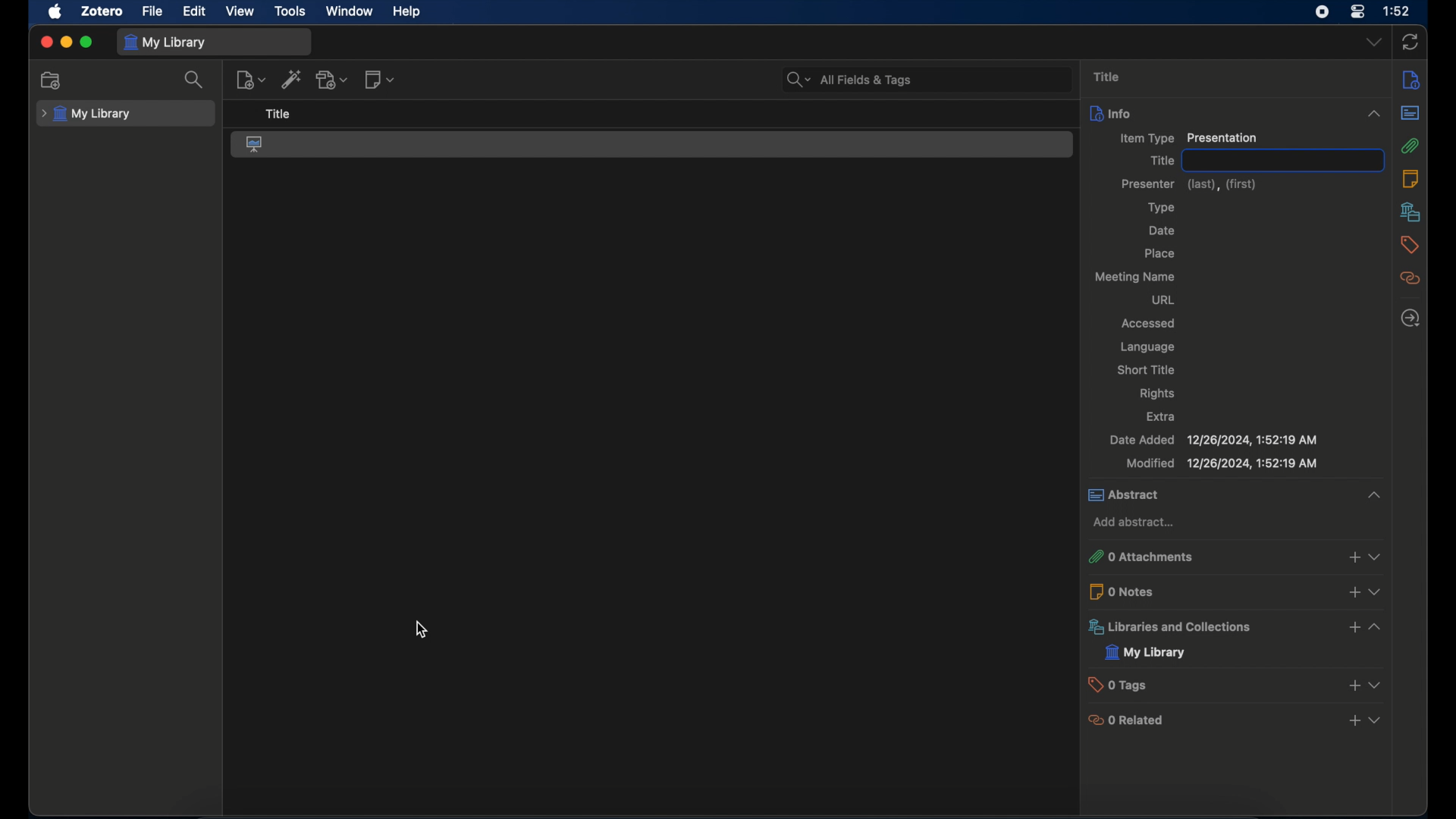 The width and height of the screenshot is (1456, 819). What do you see at coordinates (1187, 139) in the screenshot?
I see `item type presentation` at bounding box center [1187, 139].